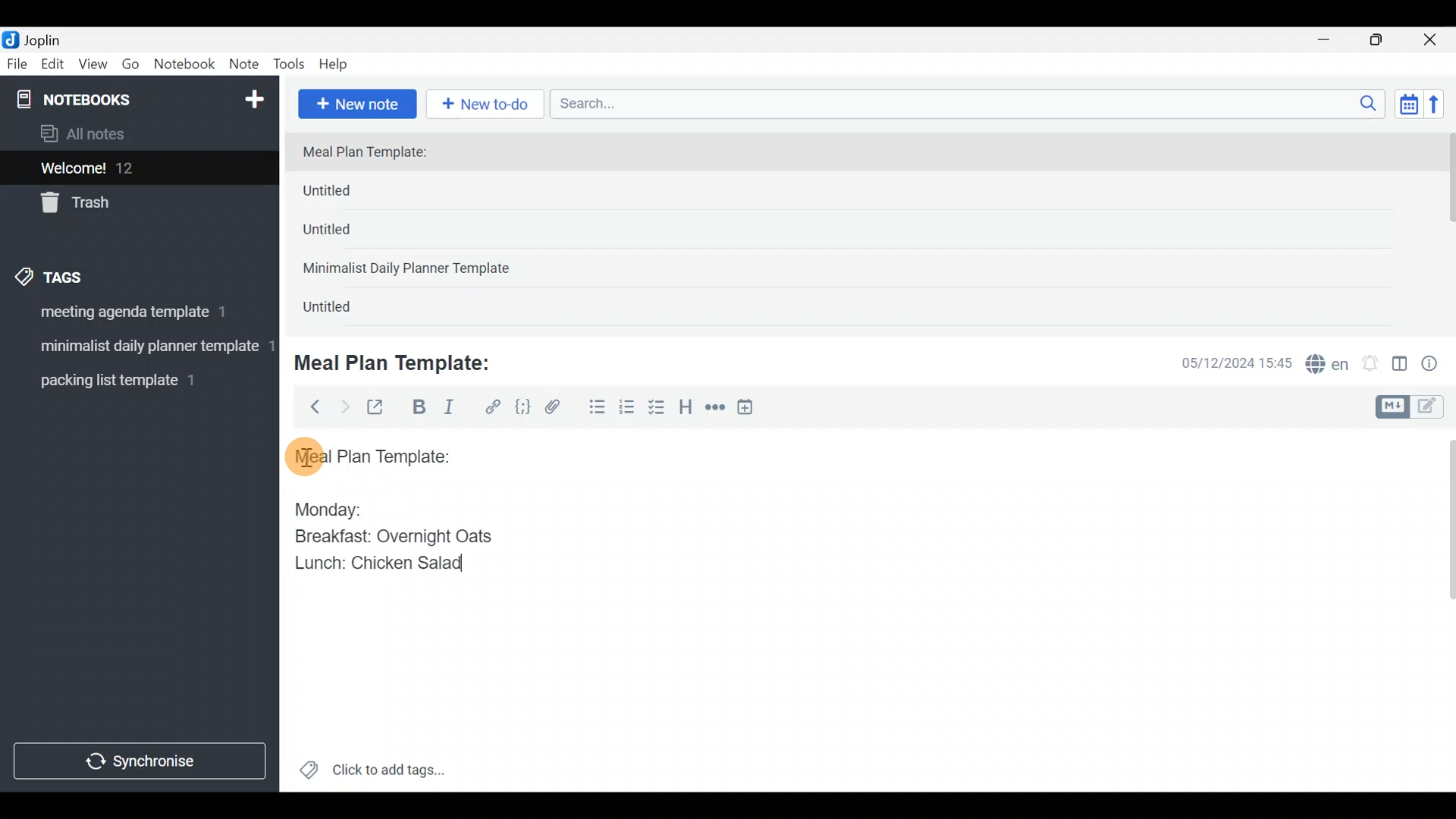  What do you see at coordinates (1442, 108) in the screenshot?
I see `Reverse sort` at bounding box center [1442, 108].